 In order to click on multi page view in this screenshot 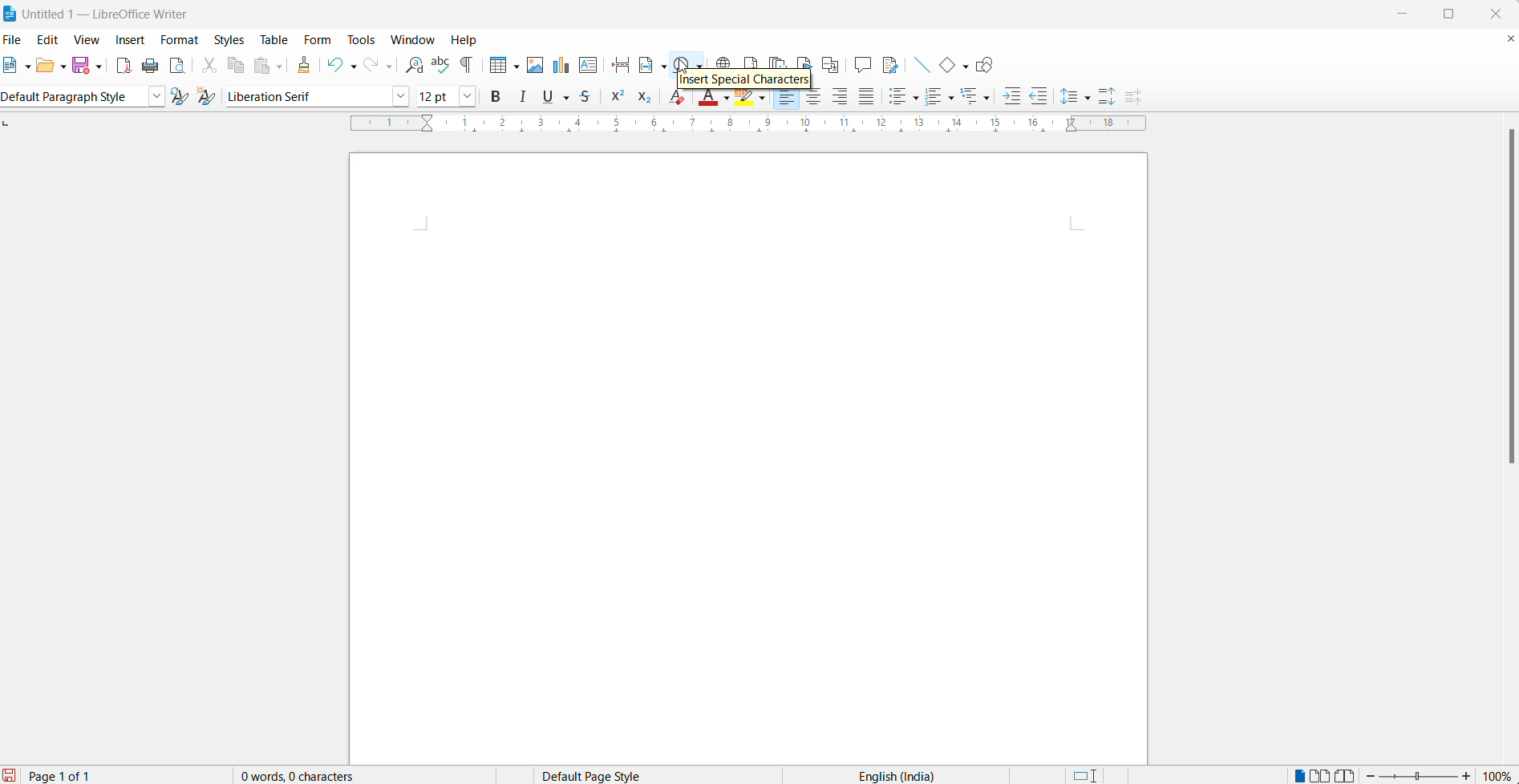, I will do `click(1323, 774)`.